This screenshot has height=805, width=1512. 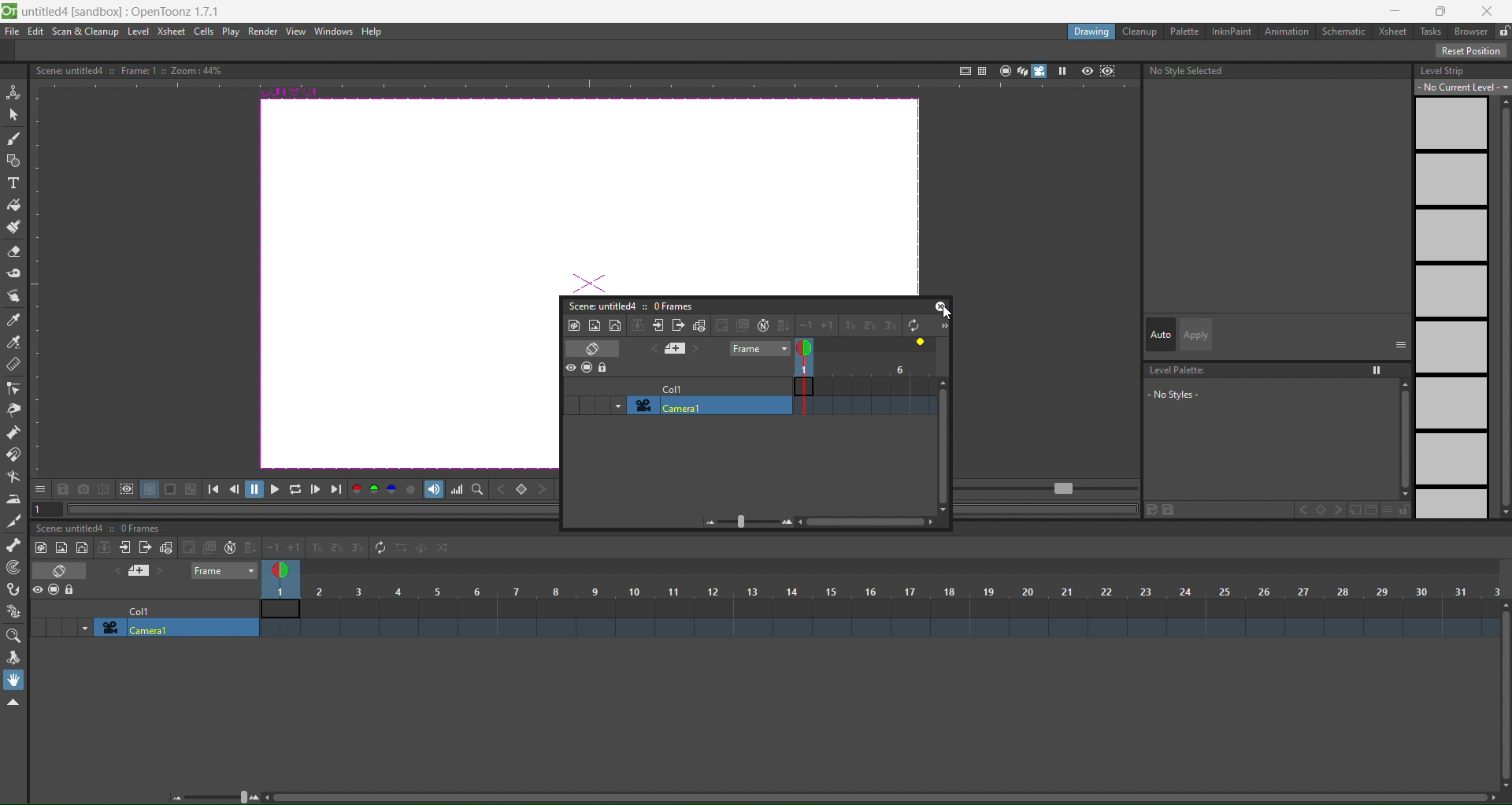 I want to click on , so click(x=782, y=327).